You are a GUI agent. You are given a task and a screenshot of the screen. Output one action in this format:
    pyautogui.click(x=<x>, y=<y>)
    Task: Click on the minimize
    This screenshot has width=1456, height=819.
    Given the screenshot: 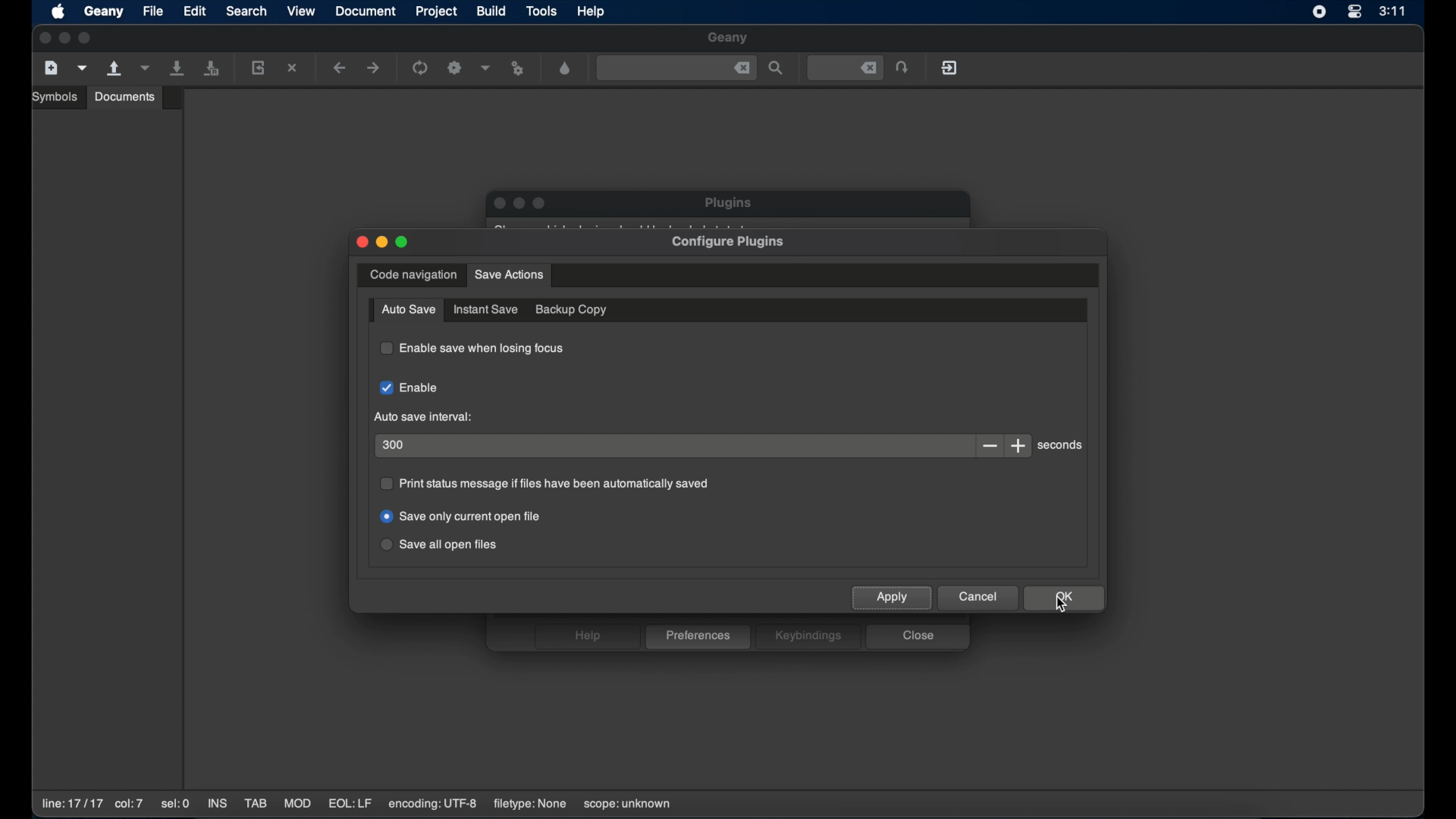 What is the action you would take?
    pyautogui.click(x=520, y=204)
    